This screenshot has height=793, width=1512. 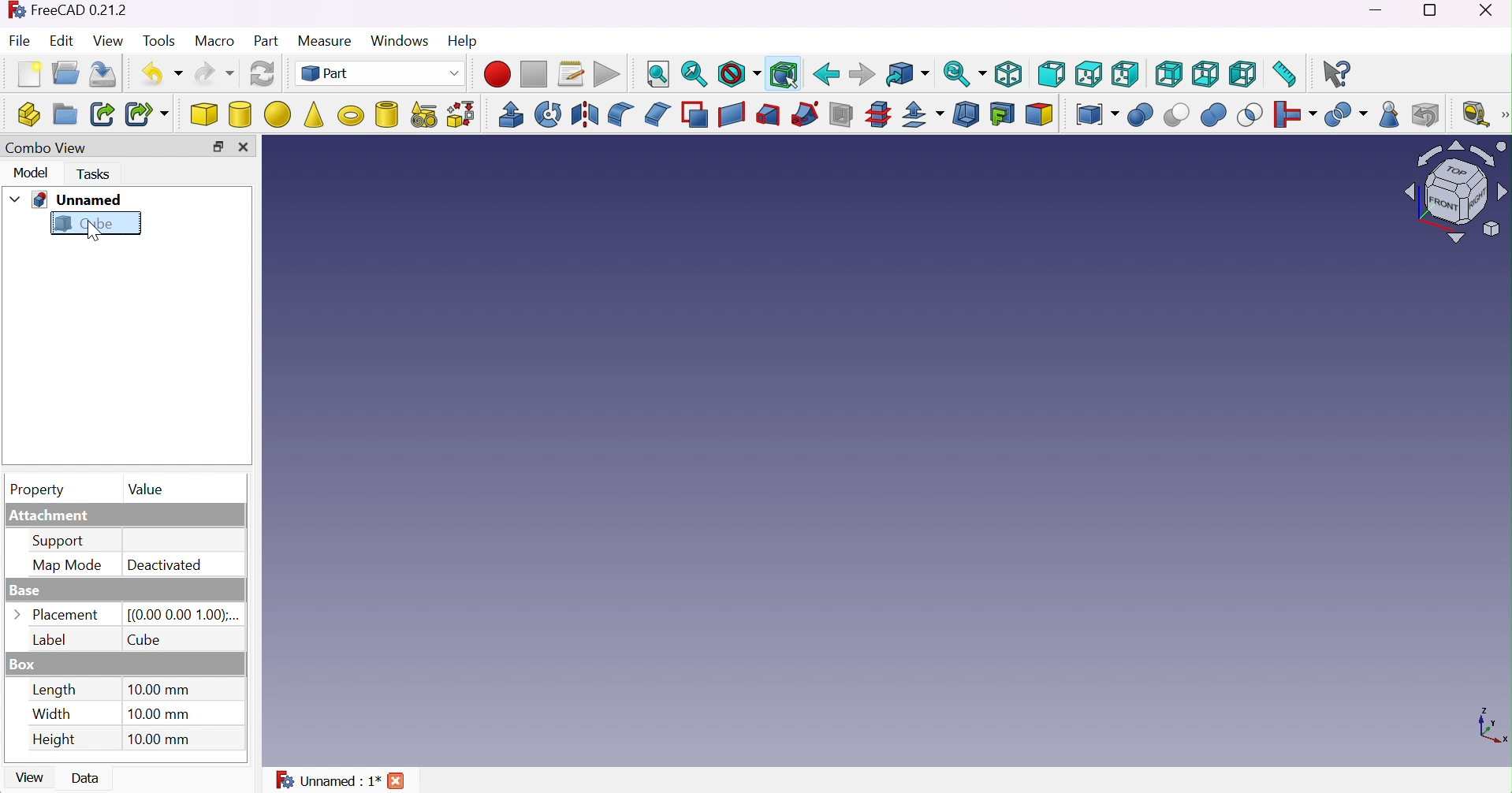 What do you see at coordinates (145, 489) in the screenshot?
I see `Value` at bounding box center [145, 489].